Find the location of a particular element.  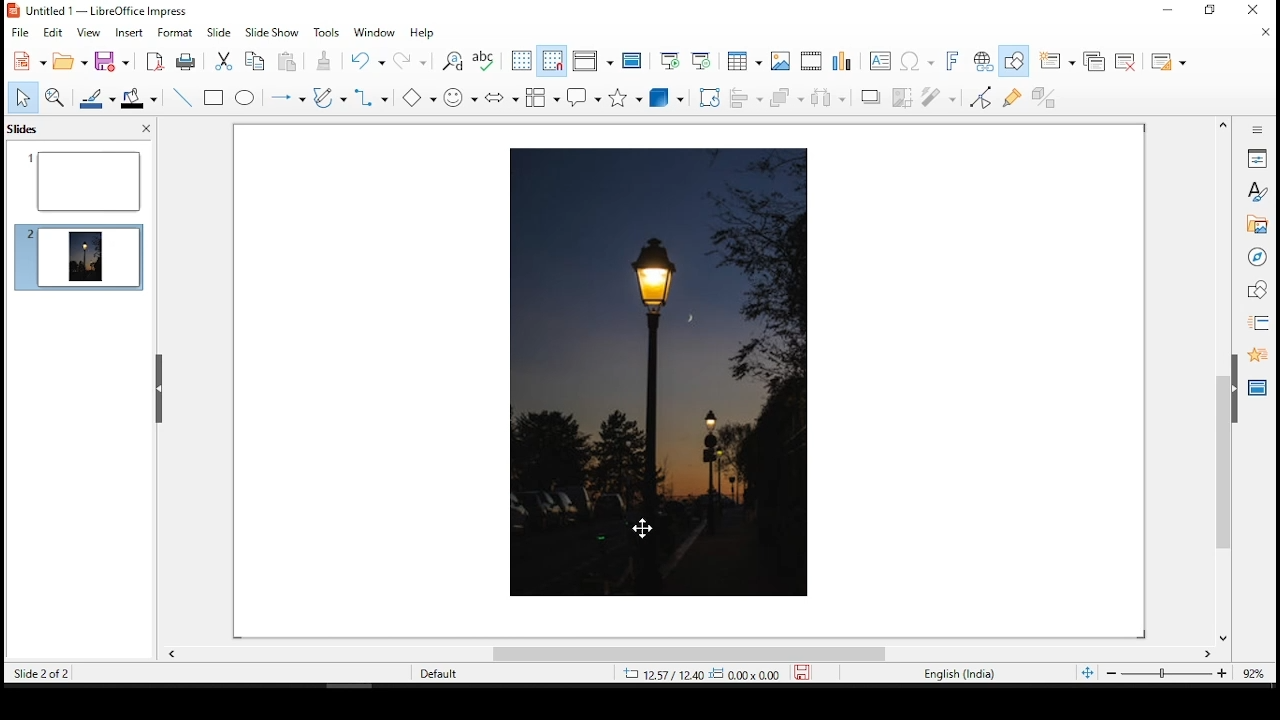

crop tool is located at coordinates (709, 97).